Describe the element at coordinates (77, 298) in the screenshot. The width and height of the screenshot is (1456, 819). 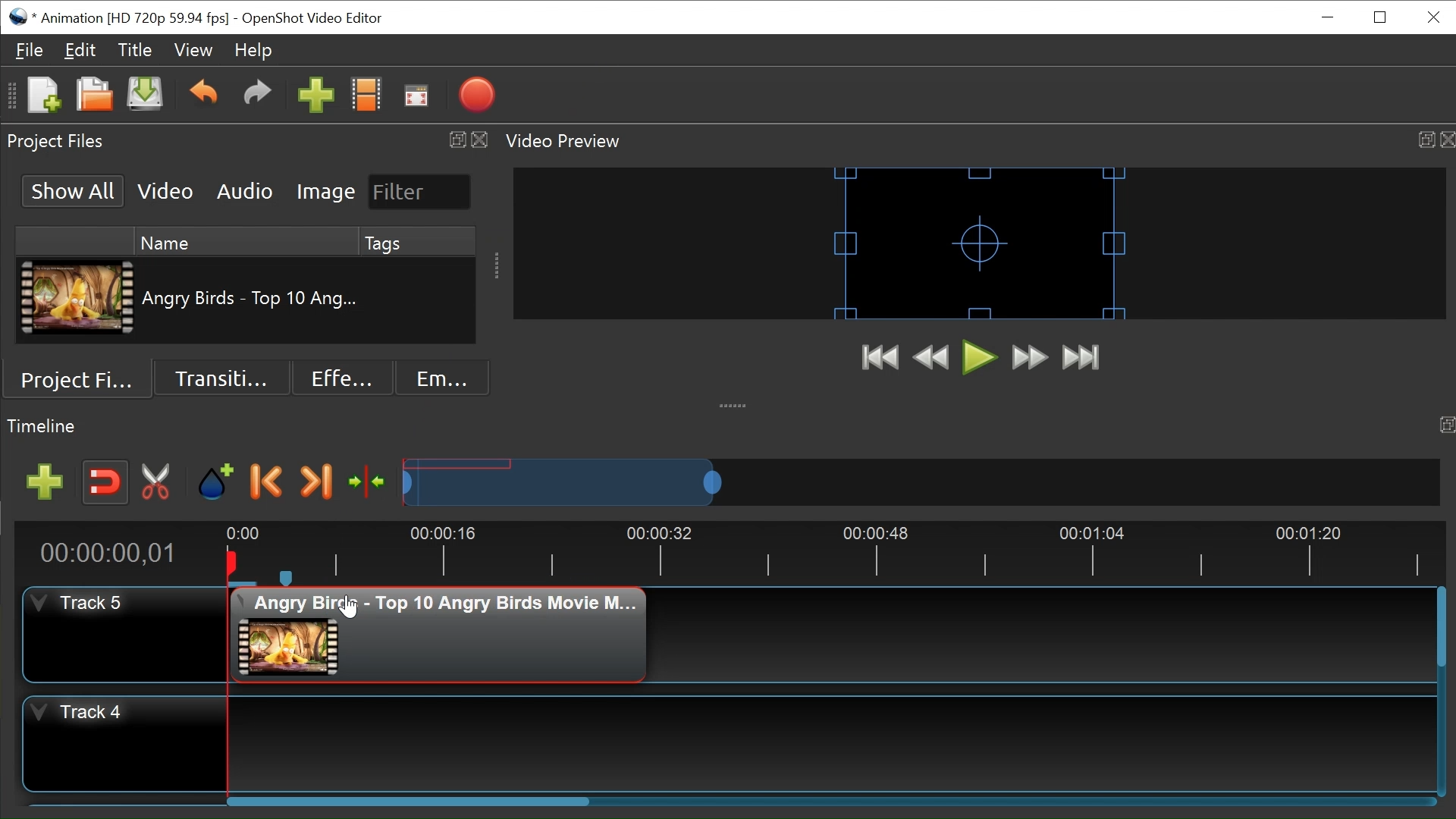
I see `Clip` at that location.